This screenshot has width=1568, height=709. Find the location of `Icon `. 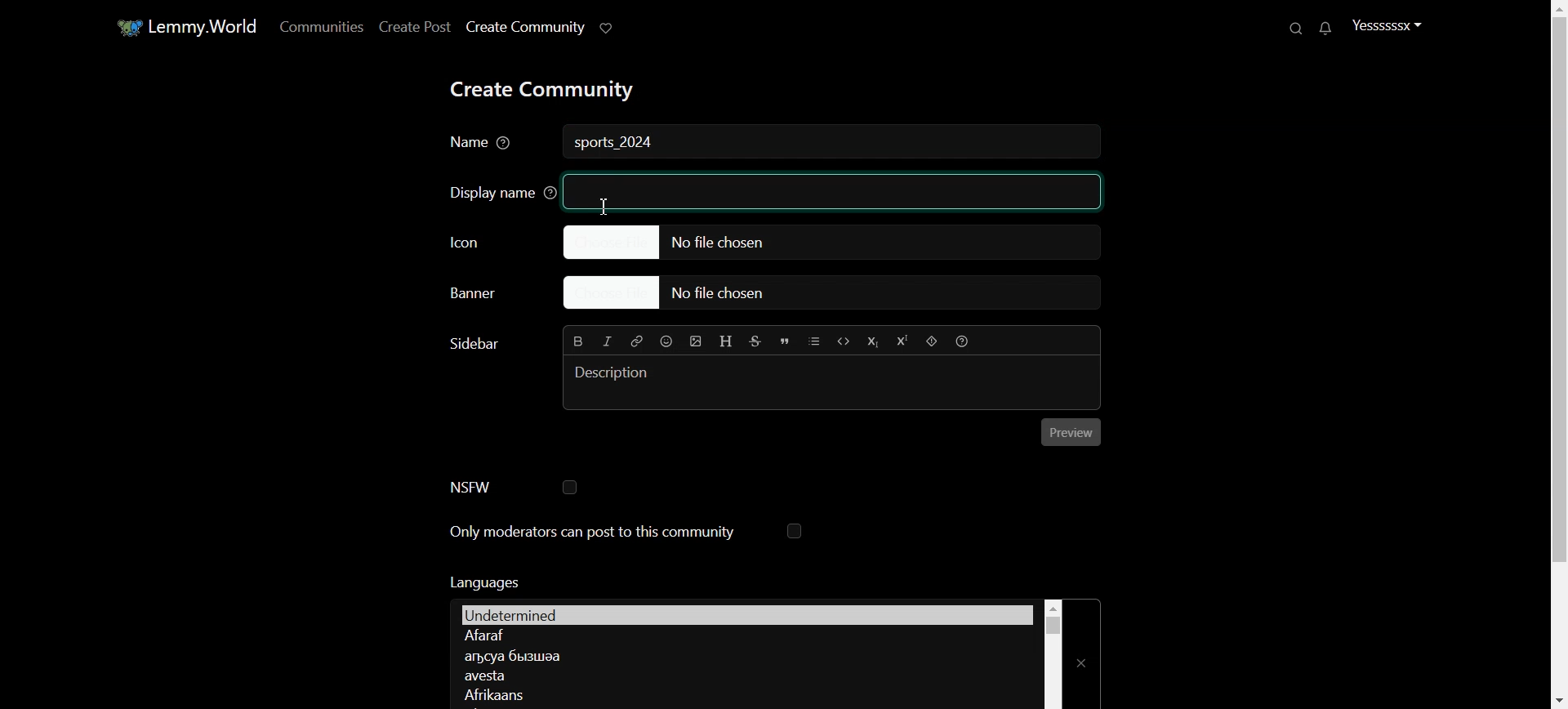

Icon  is located at coordinates (488, 240).